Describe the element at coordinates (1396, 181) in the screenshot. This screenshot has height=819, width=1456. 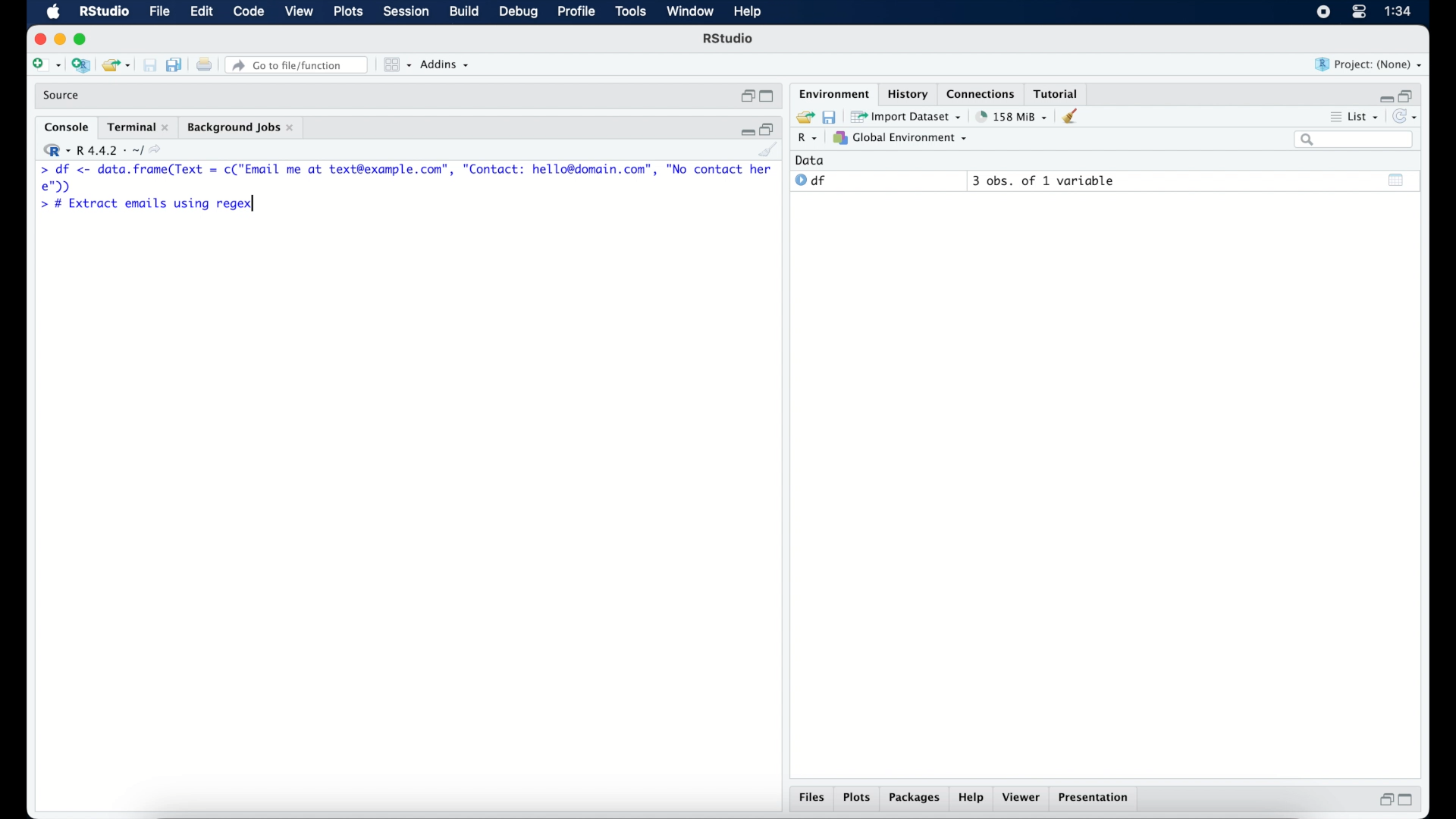
I see `show output window` at that location.